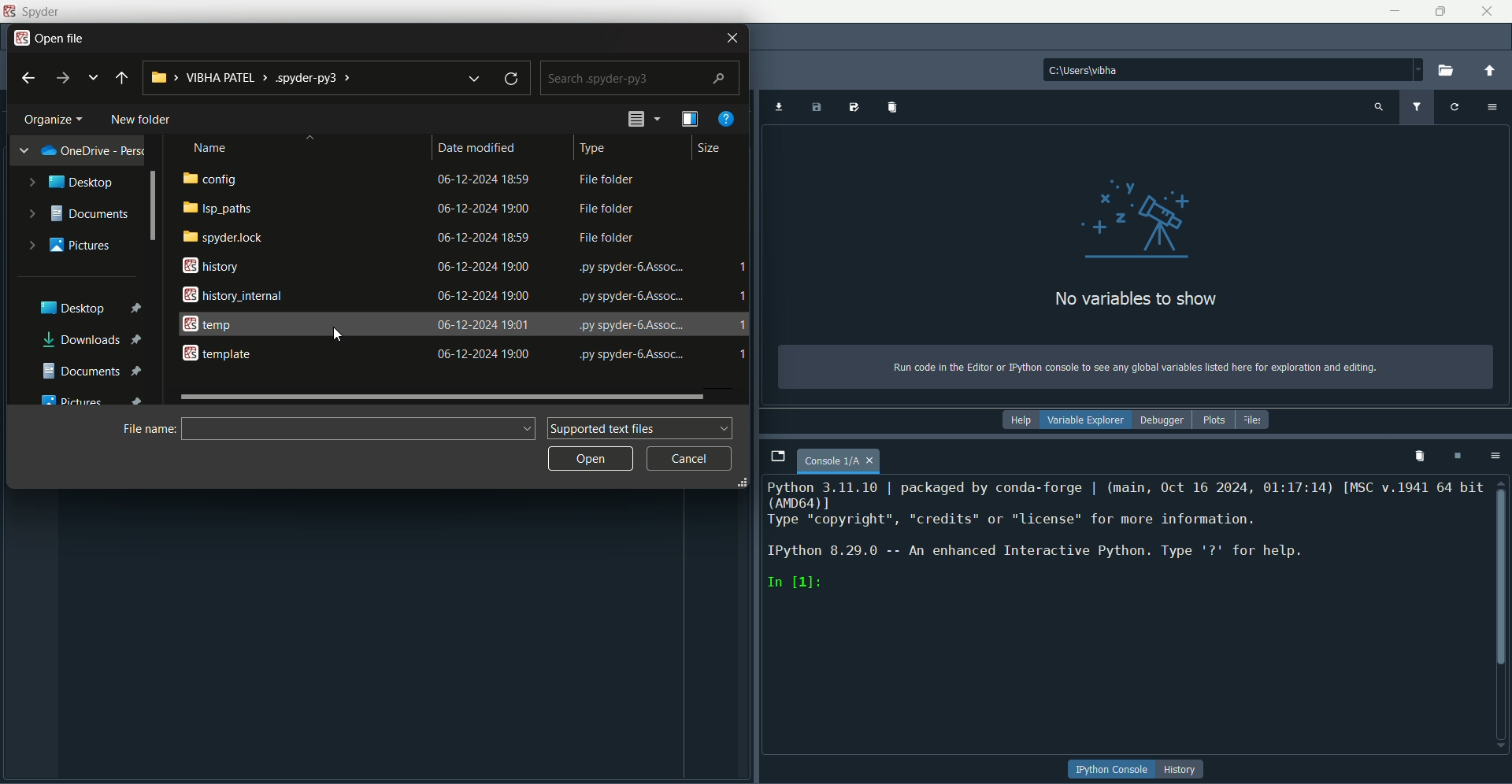 The image size is (1512, 784). What do you see at coordinates (816, 105) in the screenshot?
I see `Save data` at bounding box center [816, 105].